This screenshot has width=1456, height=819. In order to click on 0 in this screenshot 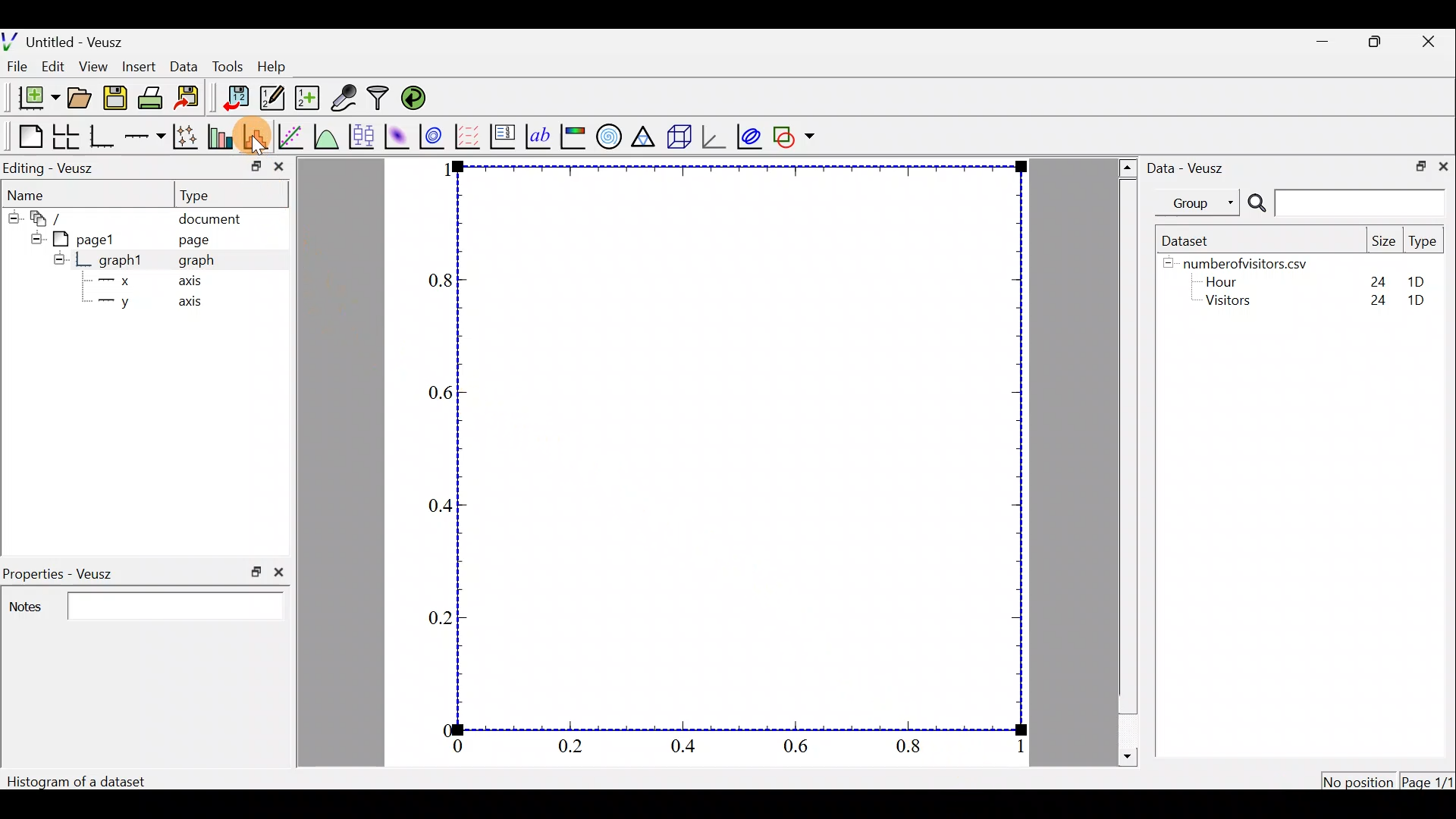, I will do `click(467, 747)`.